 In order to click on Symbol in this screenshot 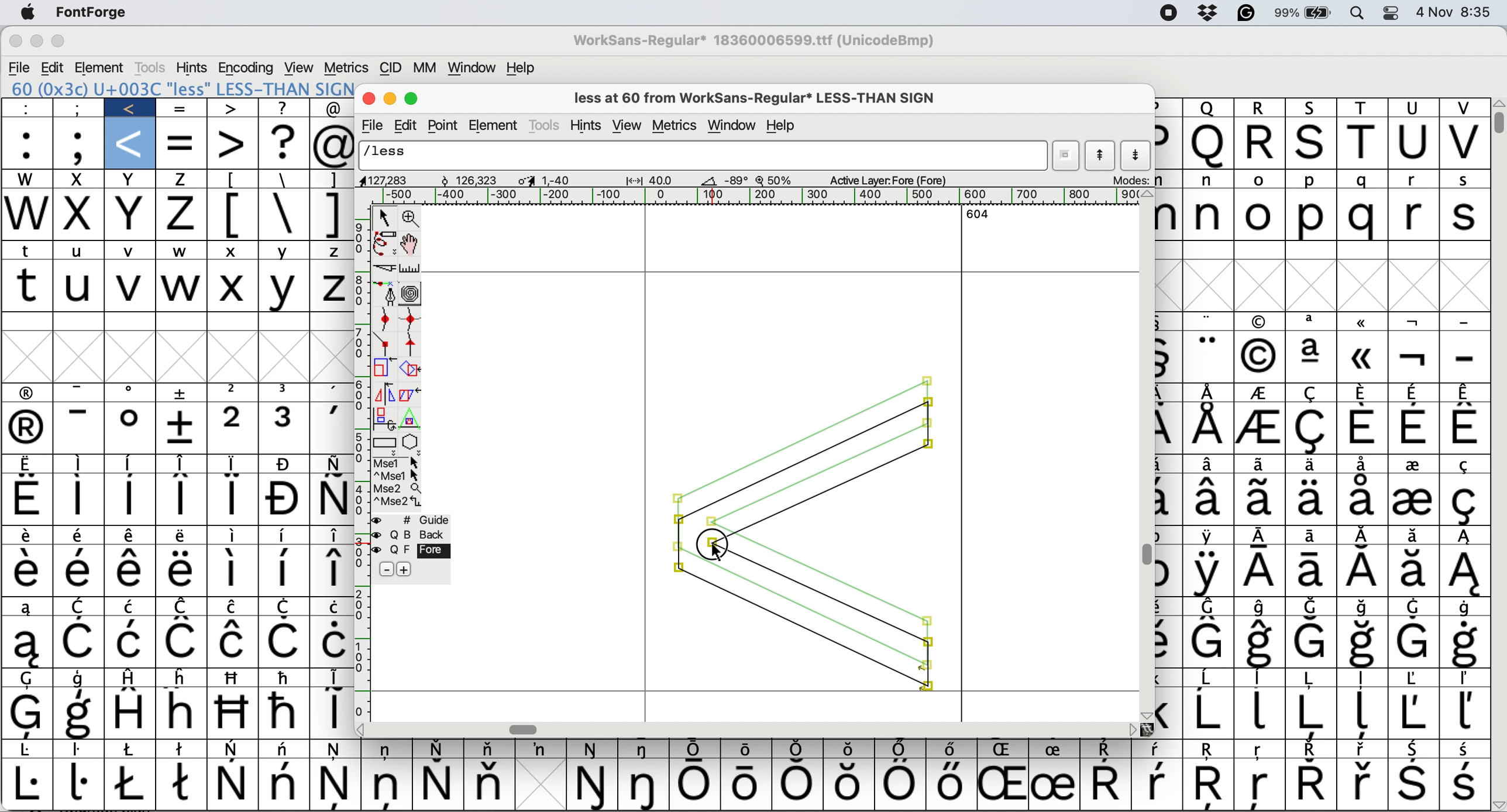, I will do `click(1169, 643)`.